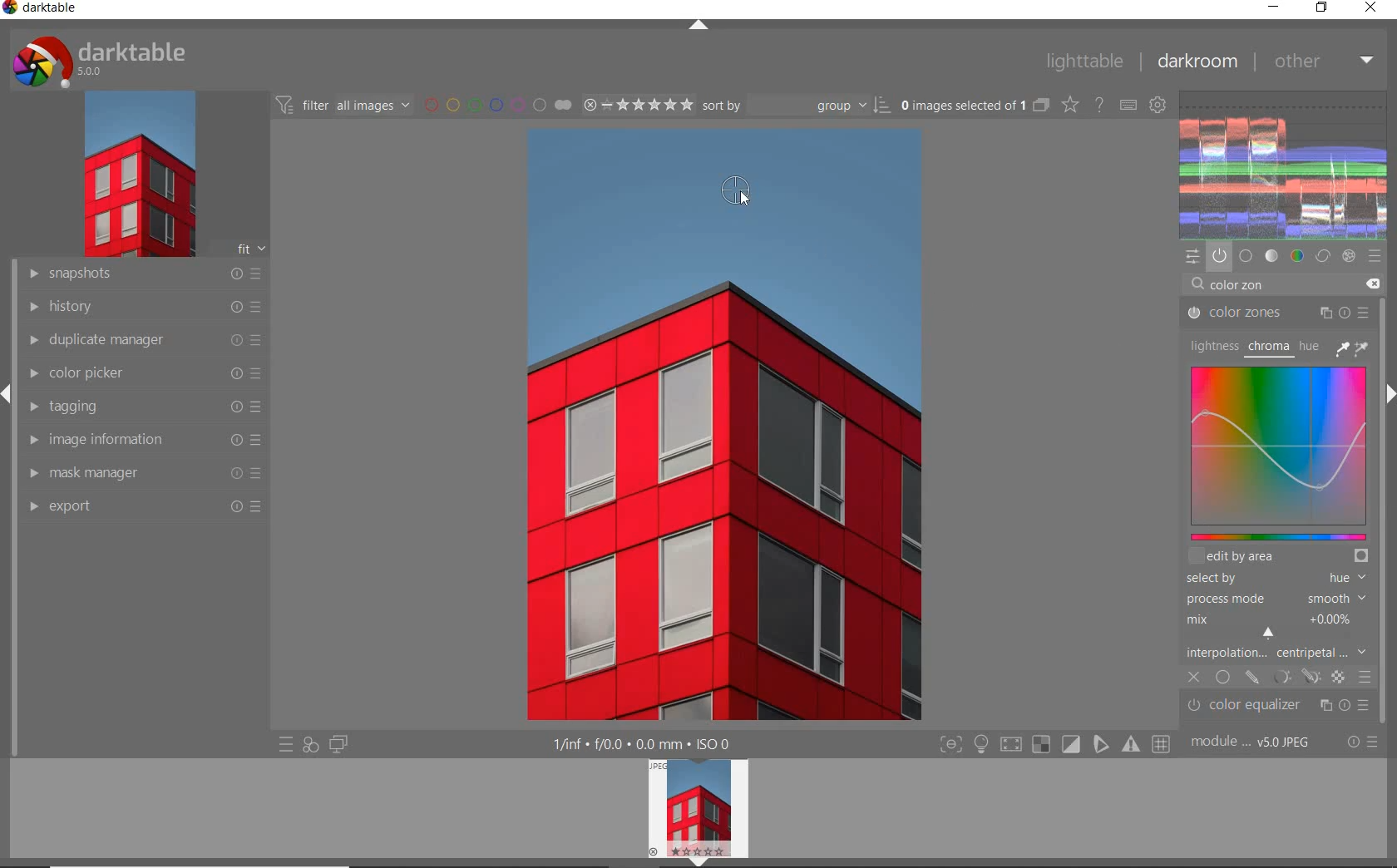 This screenshot has height=868, width=1397. What do you see at coordinates (1128, 745) in the screenshot?
I see `focus mask` at bounding box center [1128, 745].